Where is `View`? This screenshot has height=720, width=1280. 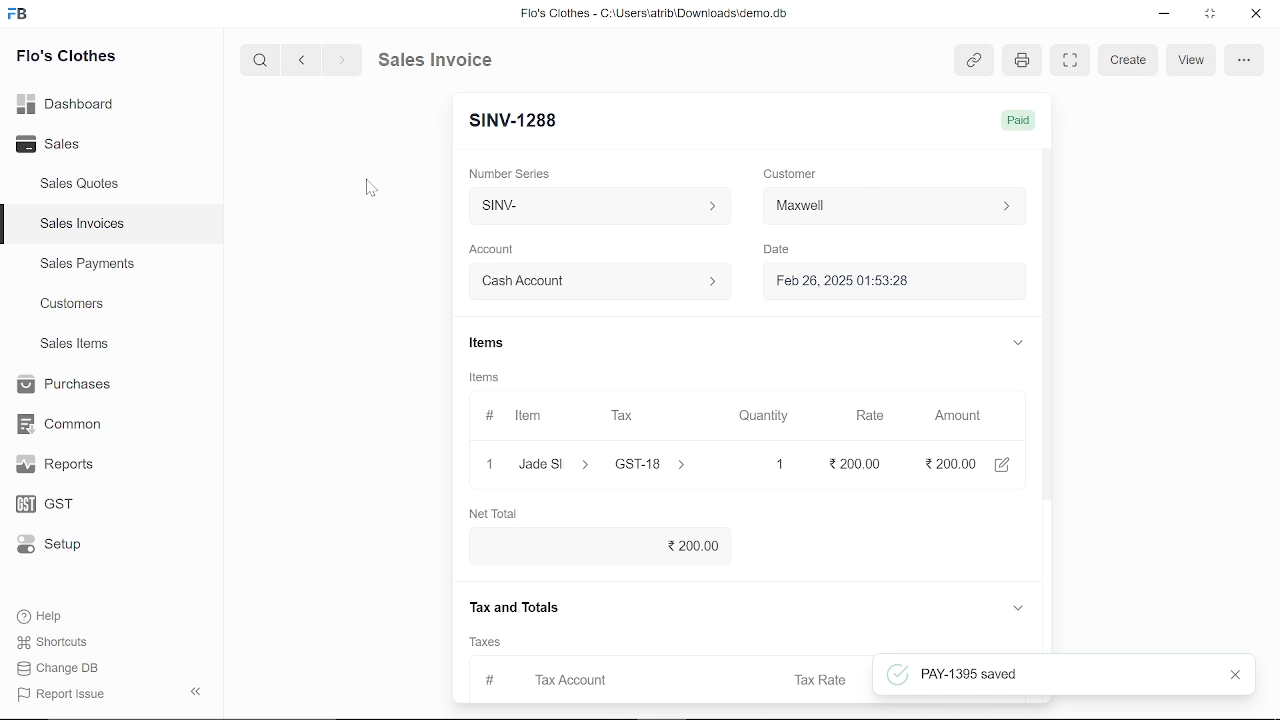
View is located at coordinates (1191, 60).